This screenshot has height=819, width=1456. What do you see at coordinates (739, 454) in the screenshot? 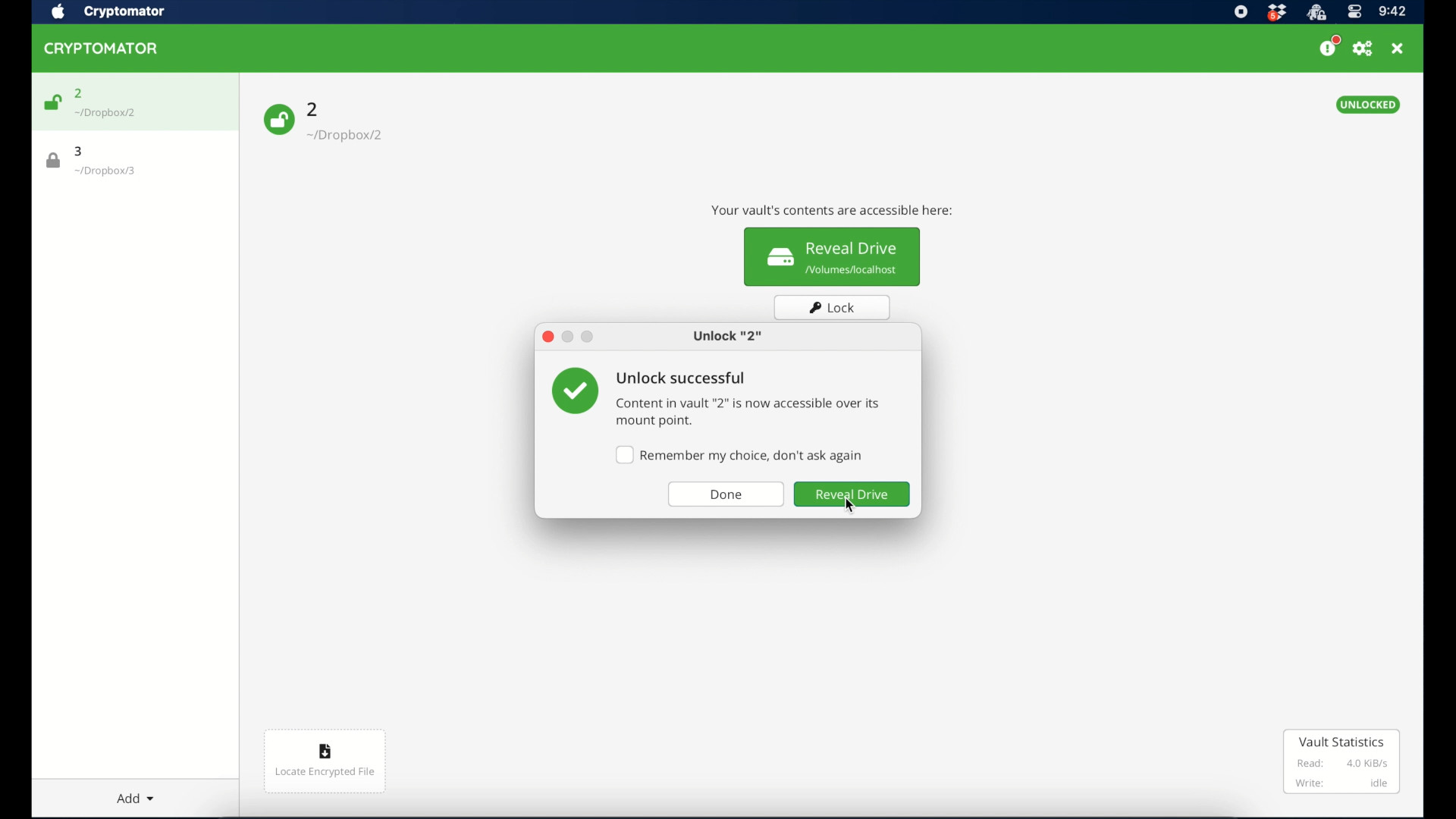
I see `checkbox` at bounding box center [739, 454].